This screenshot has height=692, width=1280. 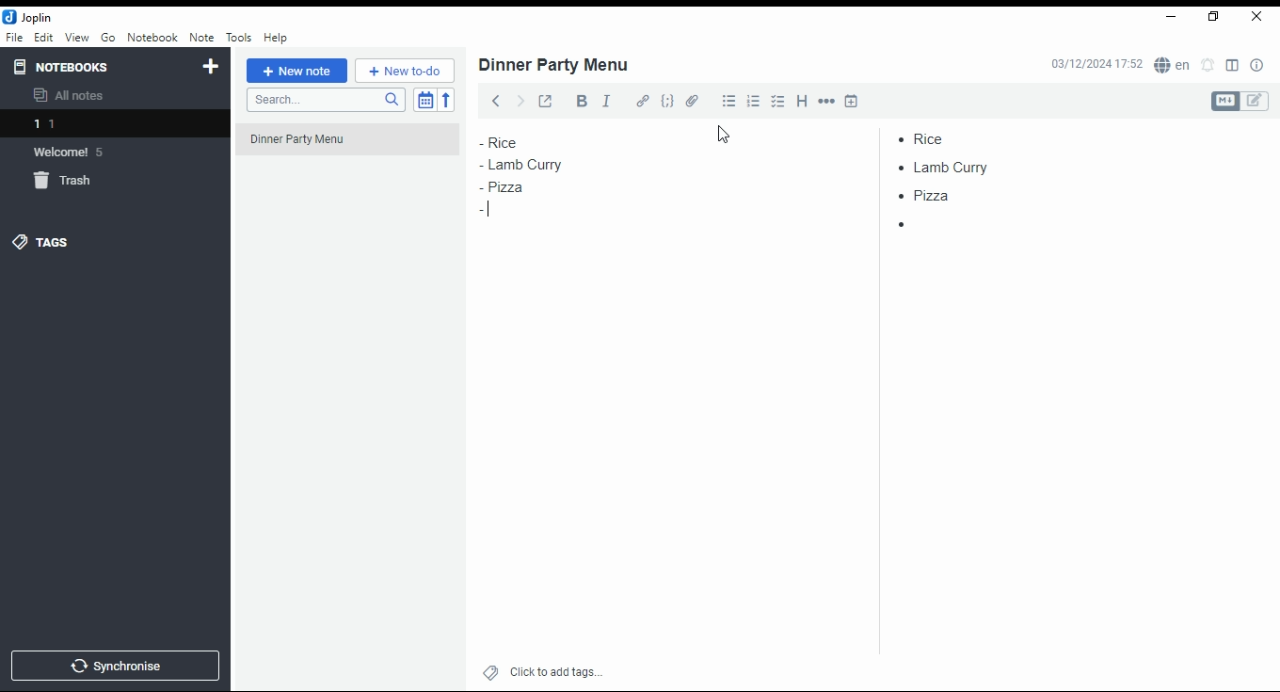 What do you see at coordinates (448, 99) in the screenshot?
I see `reverse sort order` at bounding box center [448, 99].